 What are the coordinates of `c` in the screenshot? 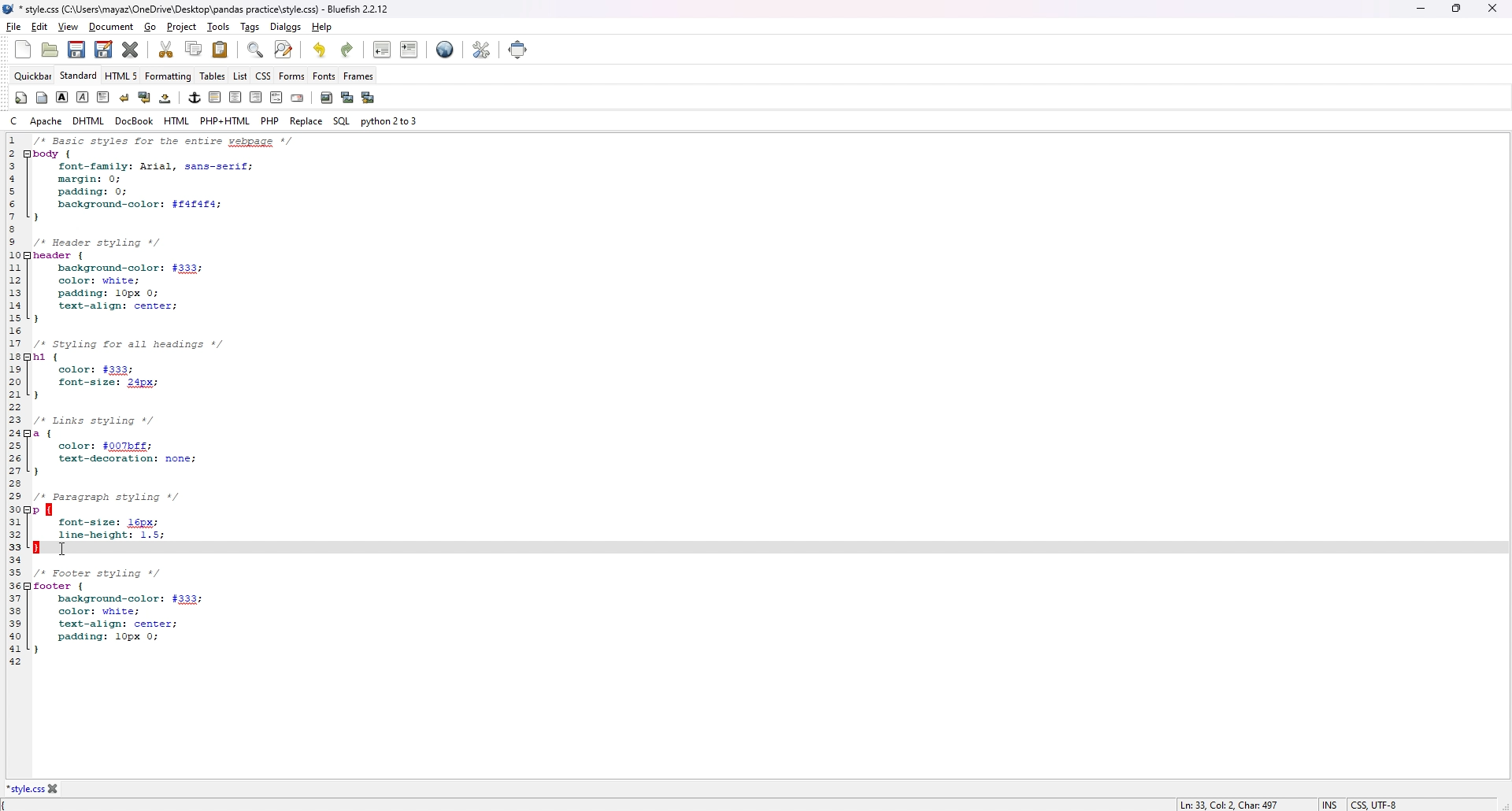 It's located at (14, 120).